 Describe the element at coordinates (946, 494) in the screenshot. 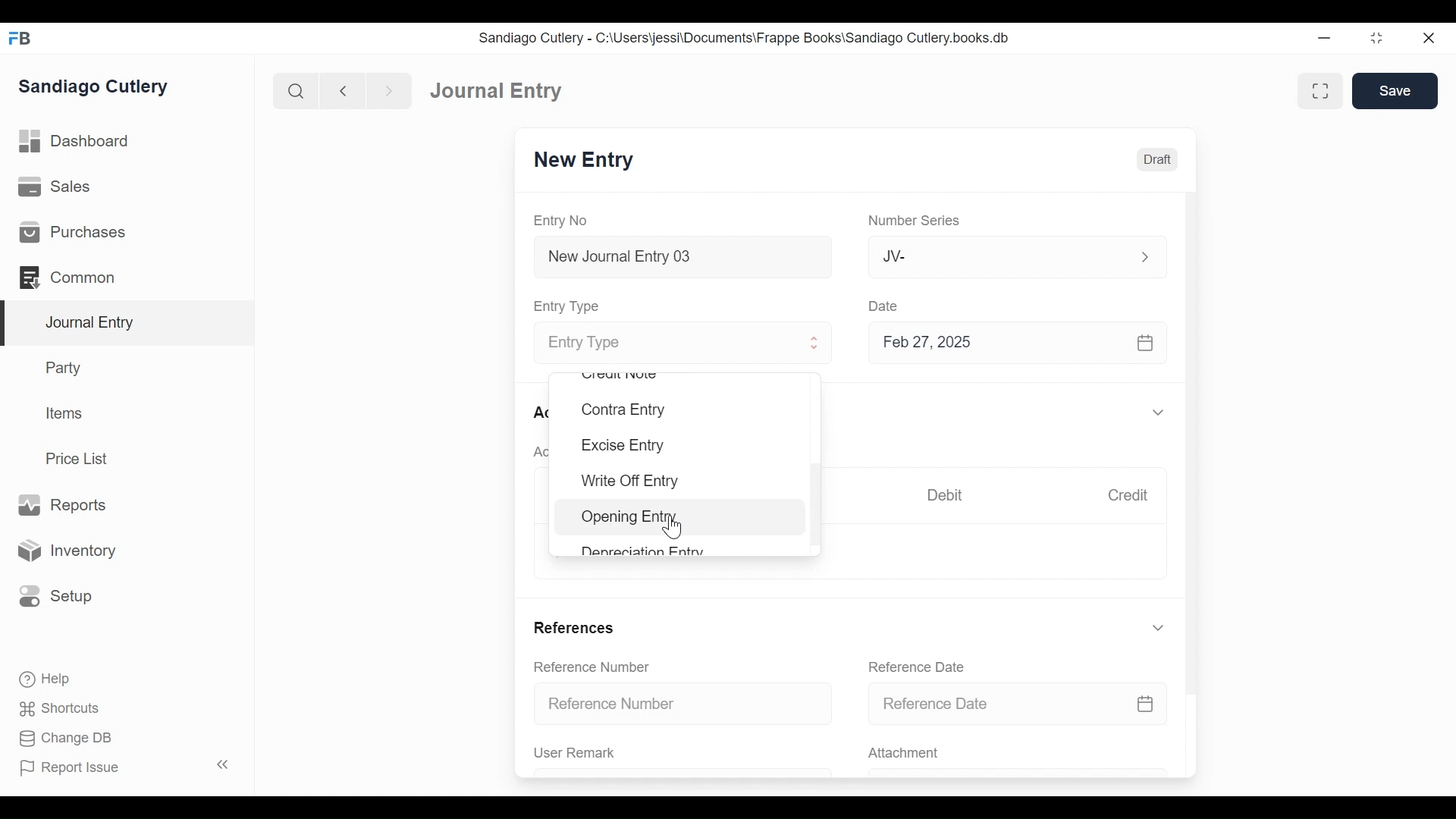

I see `Debit` at that location.